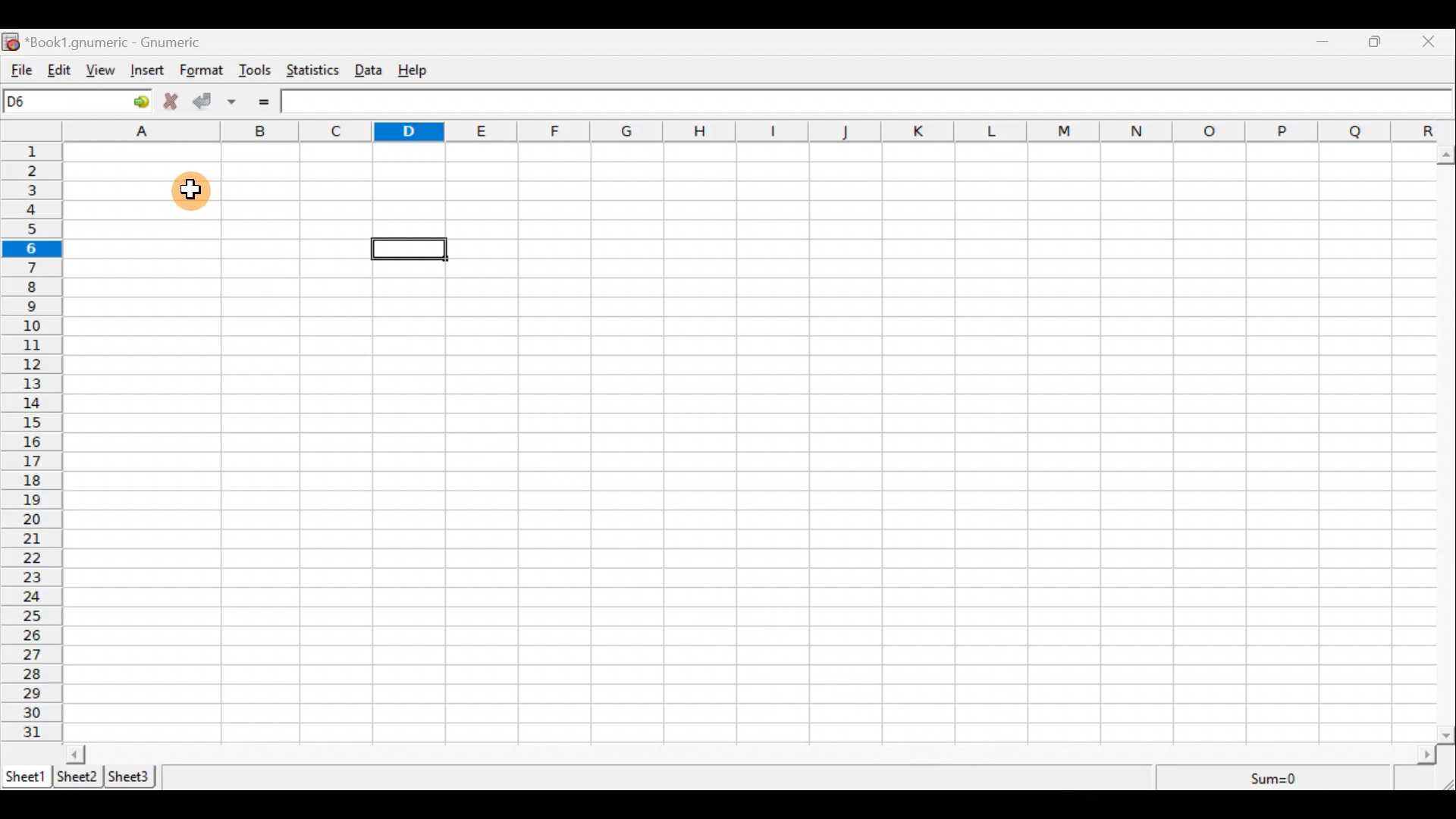 The width and height of the screenshot is (1456, 819). Describe the element at coordinates (1276, 780) in the screenshot. I see `Sum=0` at that location.